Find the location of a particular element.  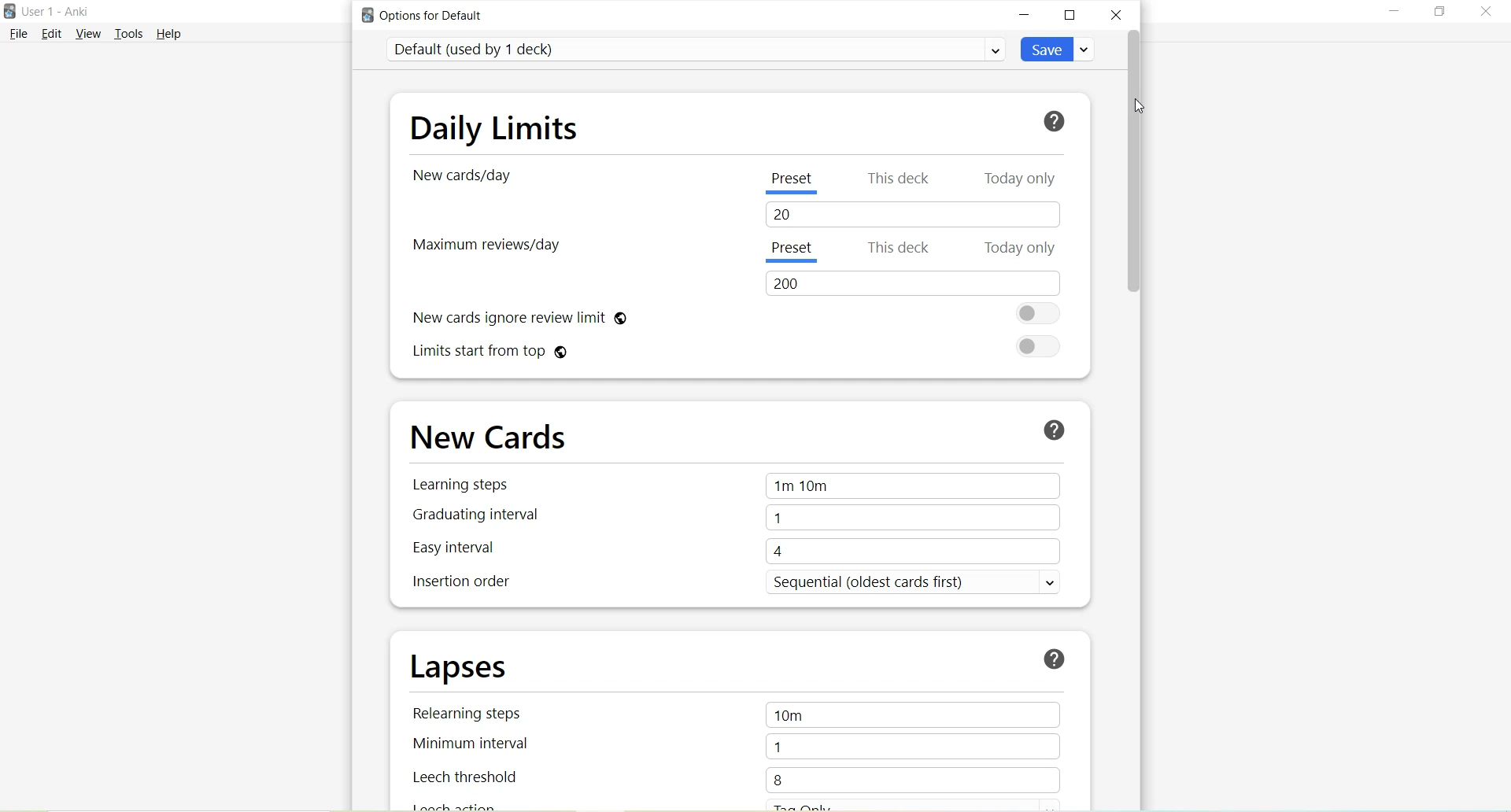

User 1 - Anki is located at coordinates (55, 11).